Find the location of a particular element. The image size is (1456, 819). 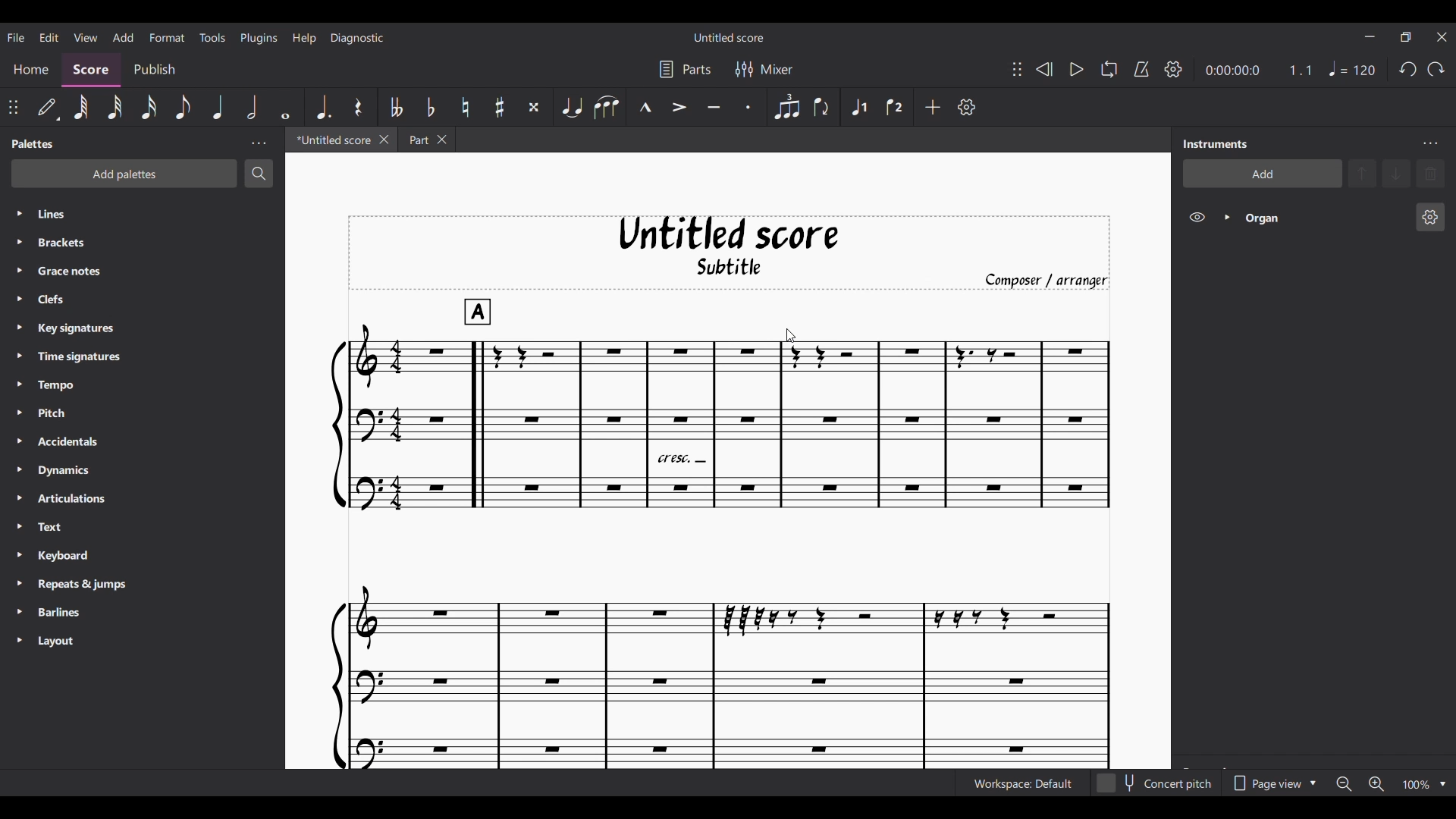

Show interface in smaller tab is located at coordinates (1406, 37).